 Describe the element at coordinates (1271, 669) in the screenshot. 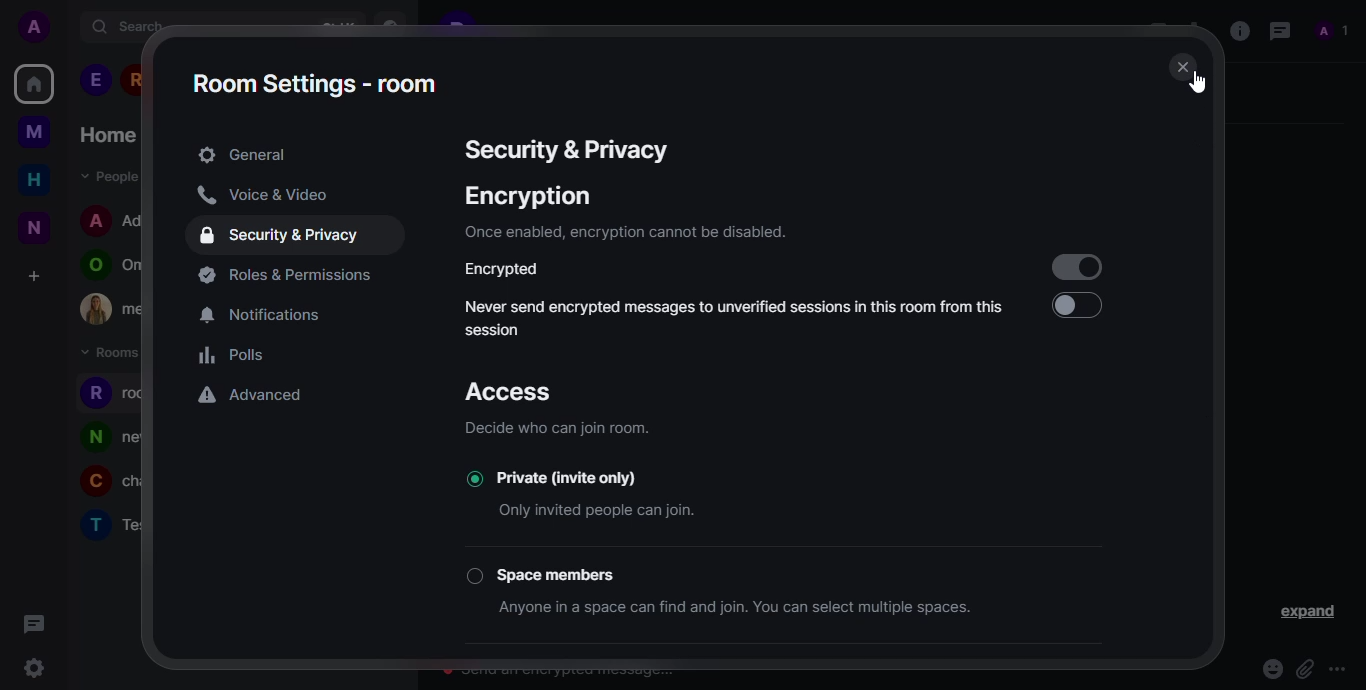

I see `emoji` at that location.